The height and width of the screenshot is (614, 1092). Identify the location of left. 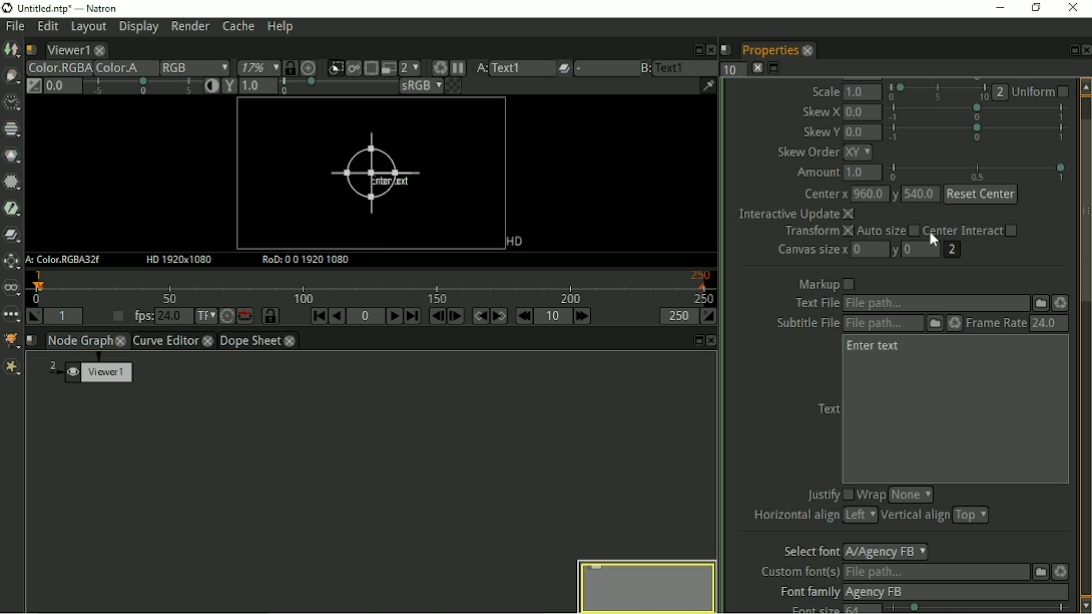
(860, 515).